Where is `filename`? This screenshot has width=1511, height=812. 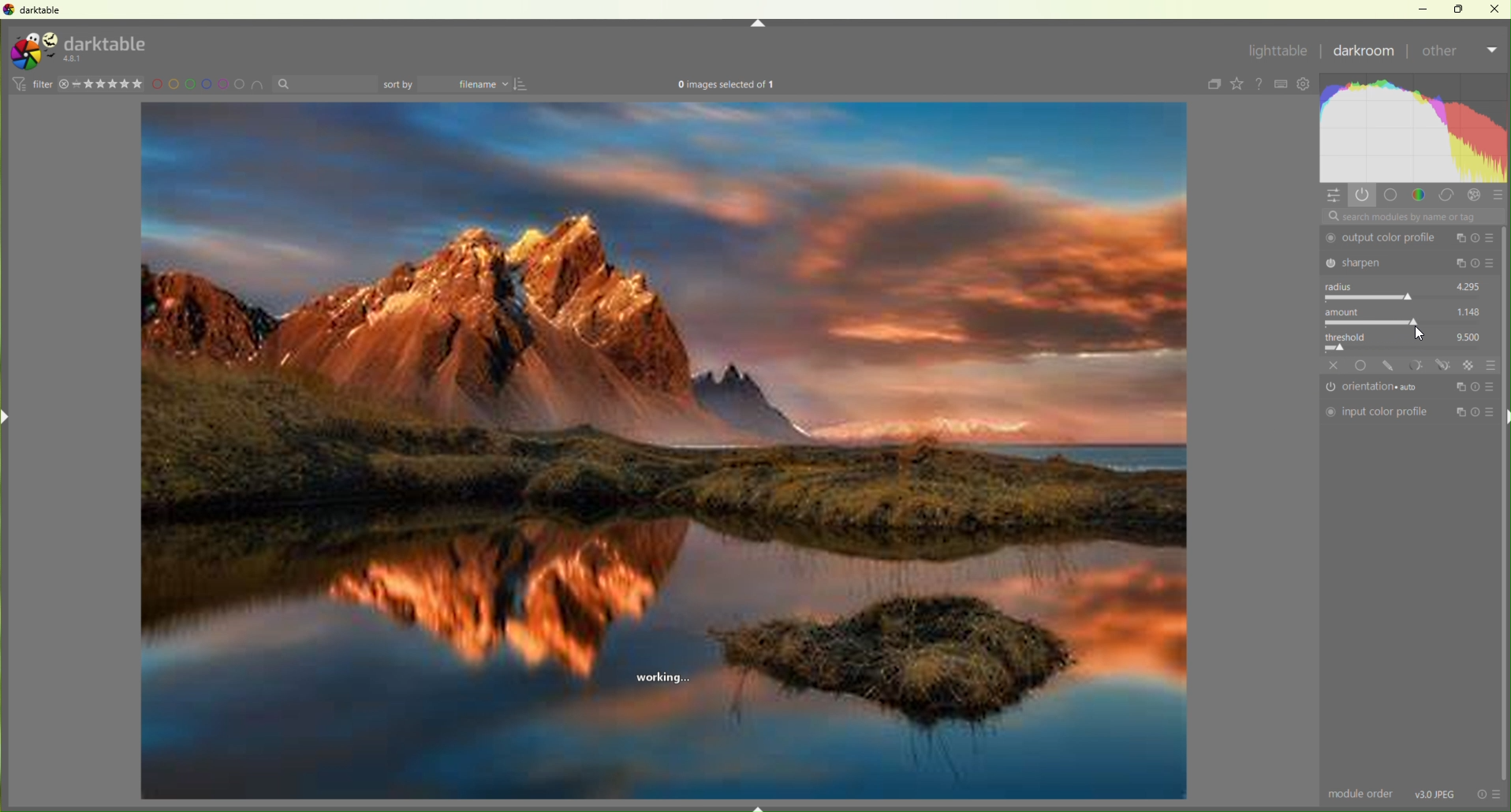 filename is located at coordinates (468, 85).